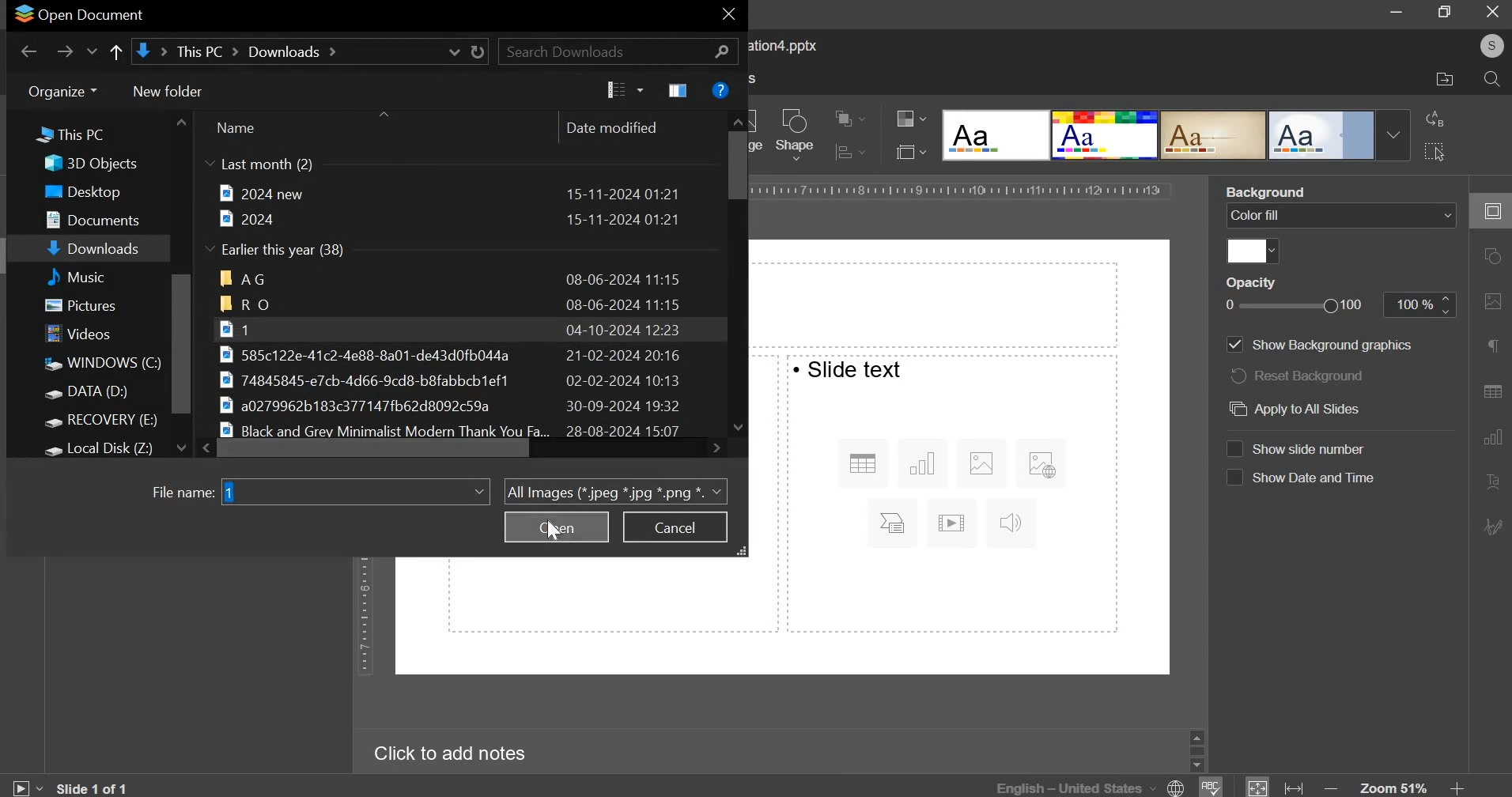 Image resolution: width=1512 pixels, height=797 pixels. Describe the element at coordinates (1334, 788) in the screenshot. I see `decrease zoom` at that location.